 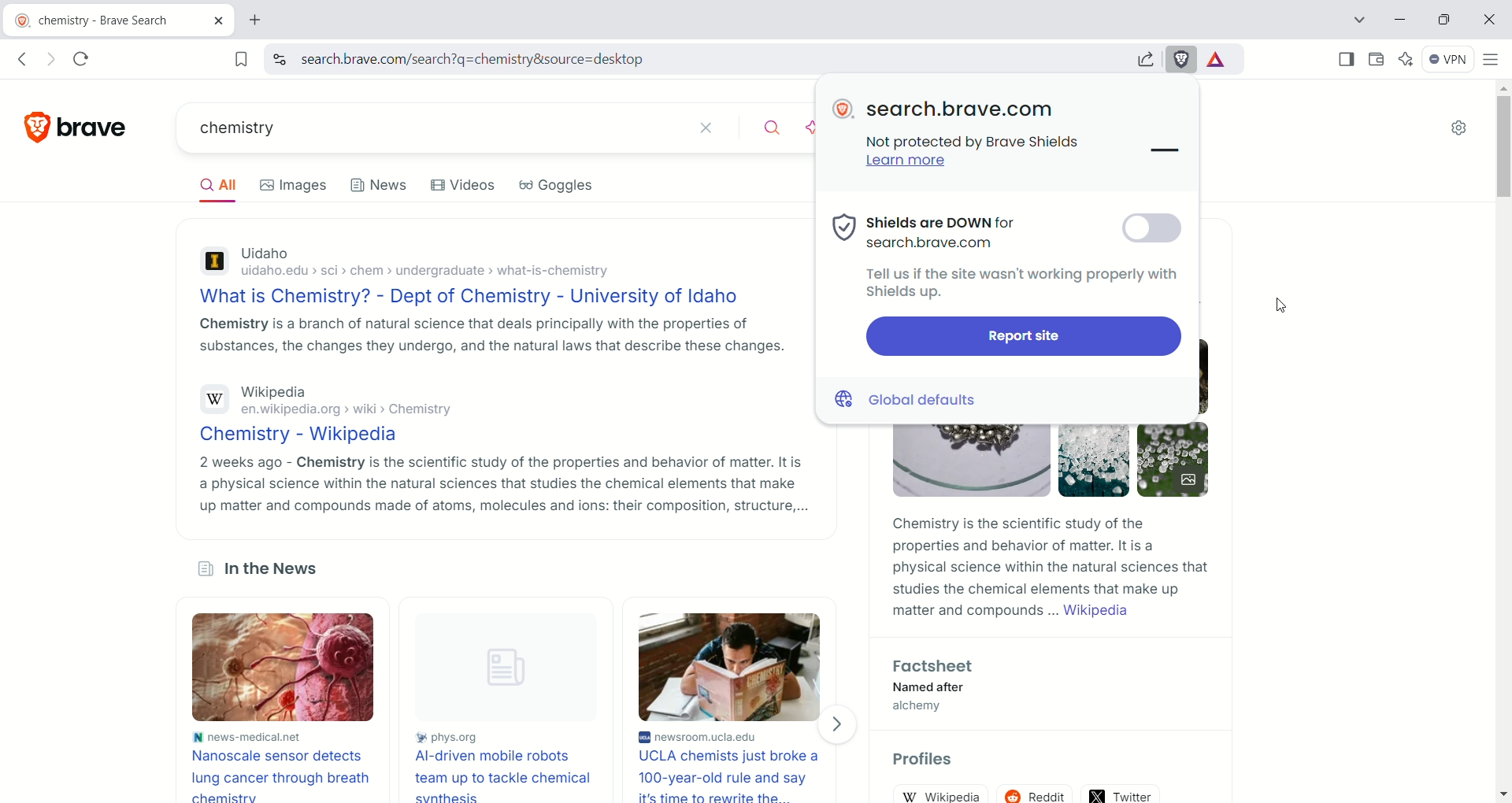 What do you see at coordinates (295, 184) in the screenshot?
I see `images` at bounding box center [295, 184].